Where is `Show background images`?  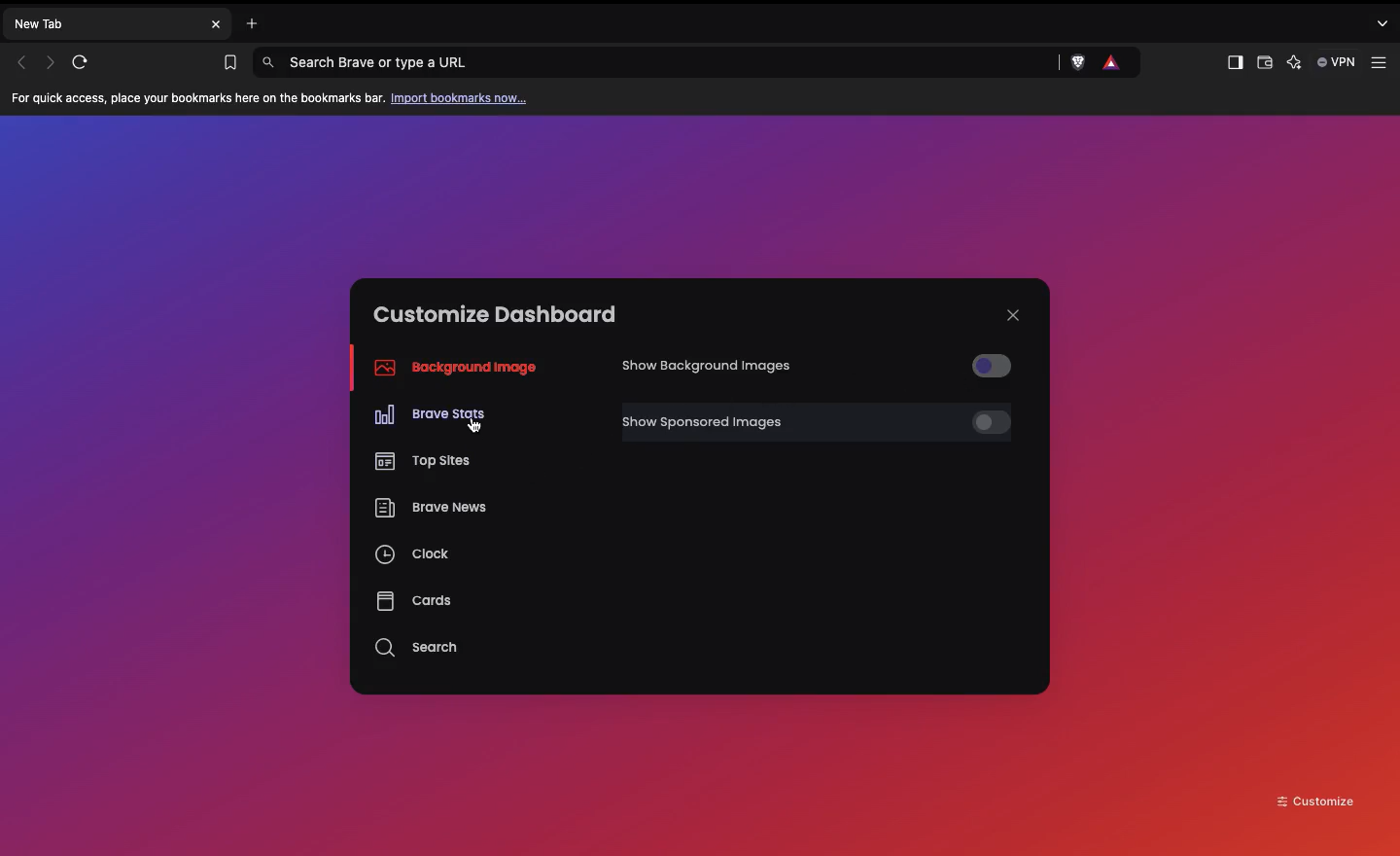
Show background images is located at coordinates (713, 367).